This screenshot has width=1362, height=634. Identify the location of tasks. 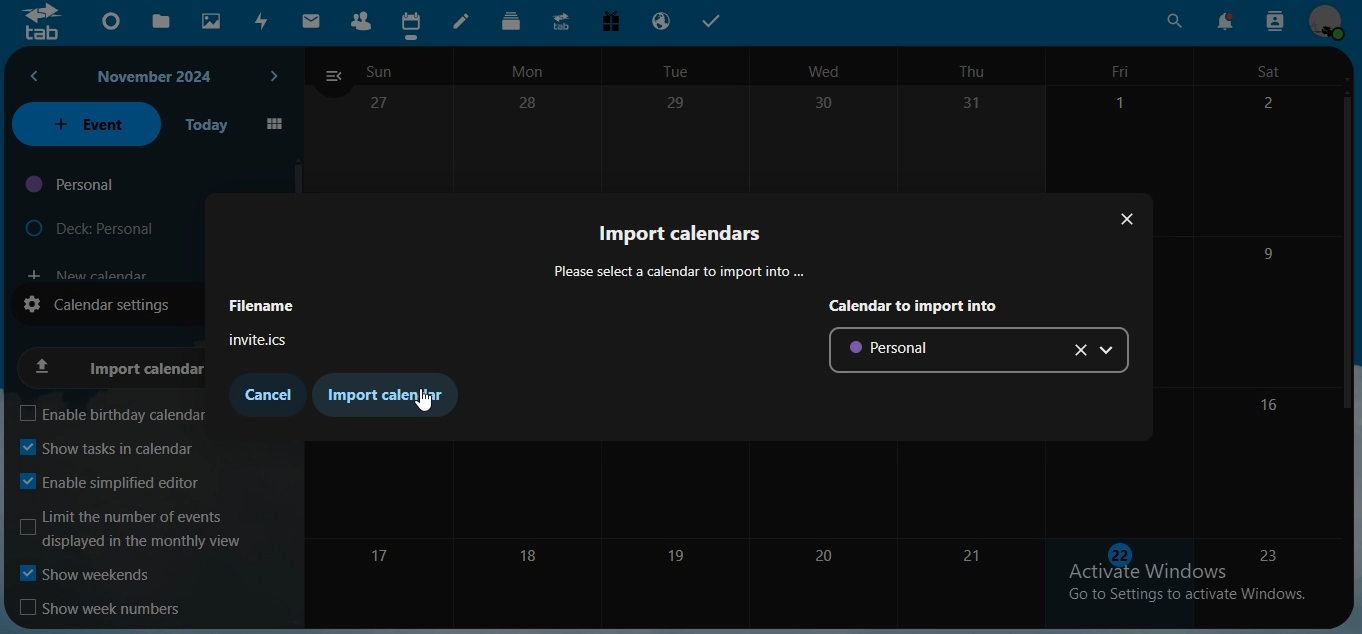
(715, 22).